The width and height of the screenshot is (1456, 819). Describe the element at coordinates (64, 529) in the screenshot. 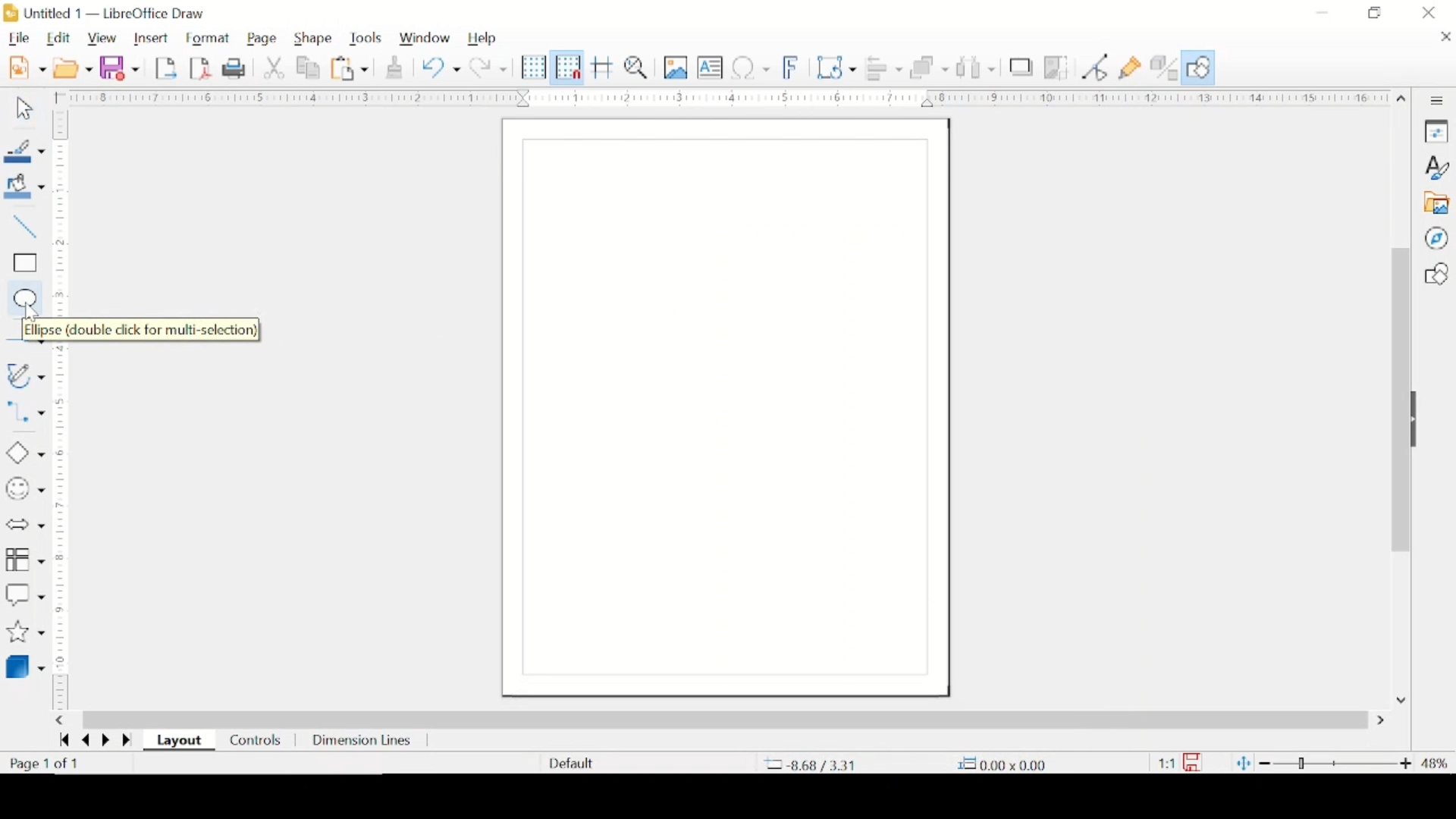

I see `margin` at that location.